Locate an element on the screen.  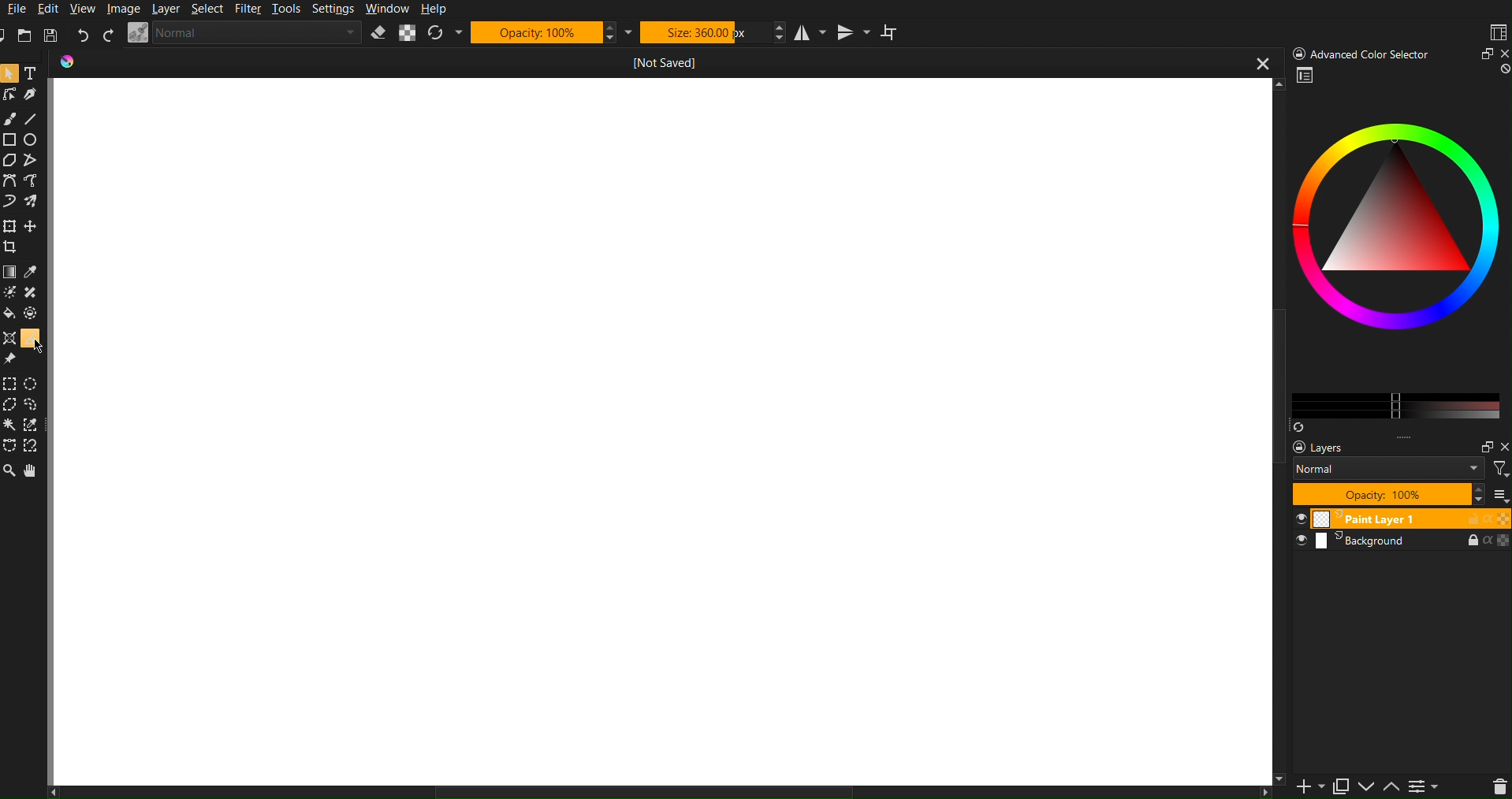
Redo is located at coordinates (108, 35).